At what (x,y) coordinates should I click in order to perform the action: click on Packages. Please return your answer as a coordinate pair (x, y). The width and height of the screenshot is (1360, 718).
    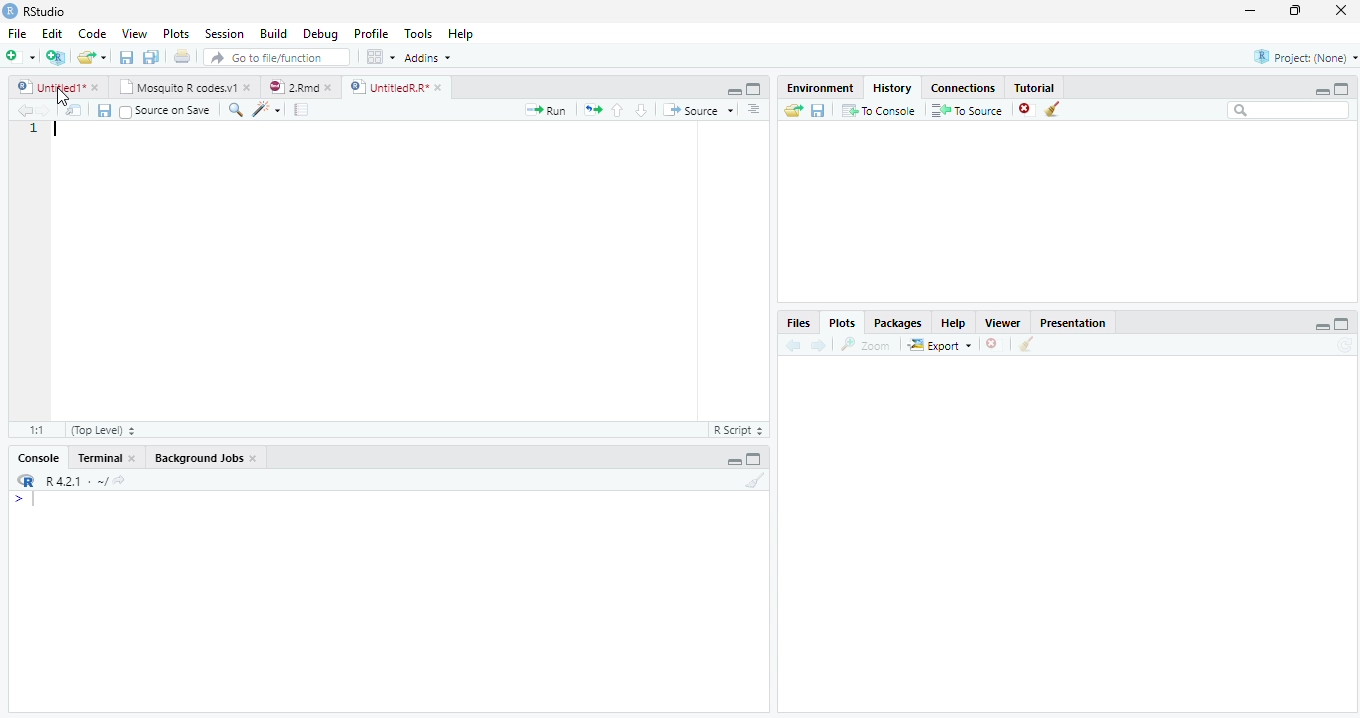
    Looking at the image, I should click on (900, 322).